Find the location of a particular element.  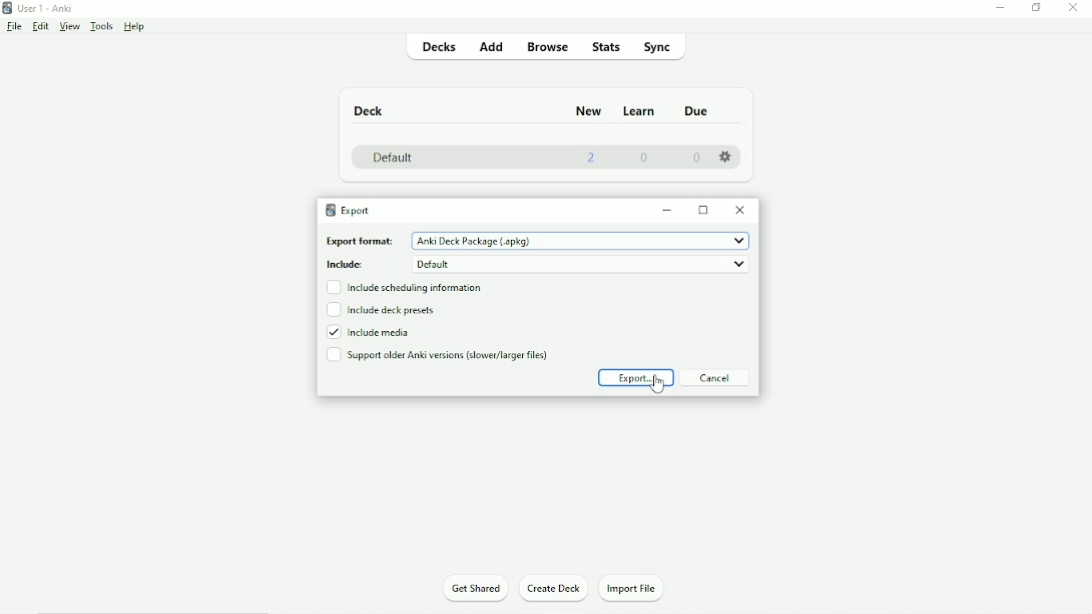

Close is located at coordinates (742, 209).